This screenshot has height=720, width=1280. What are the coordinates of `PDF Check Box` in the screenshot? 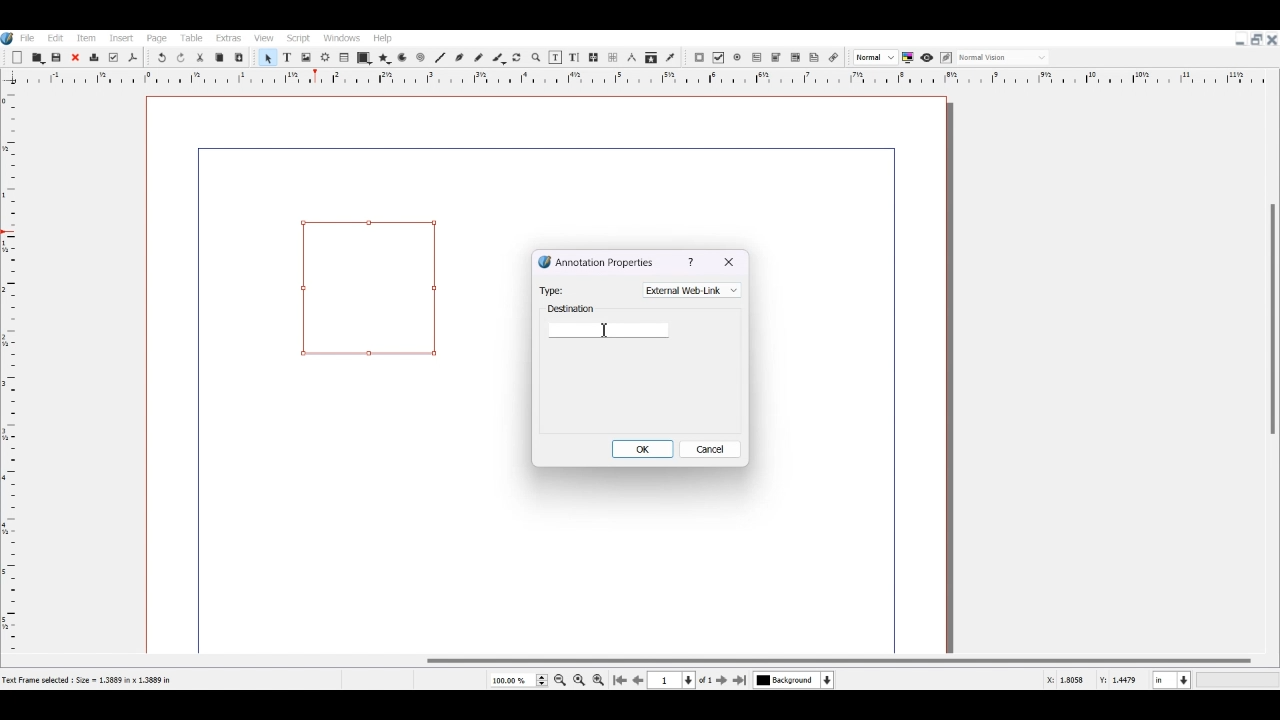 It's located at (719, 58).